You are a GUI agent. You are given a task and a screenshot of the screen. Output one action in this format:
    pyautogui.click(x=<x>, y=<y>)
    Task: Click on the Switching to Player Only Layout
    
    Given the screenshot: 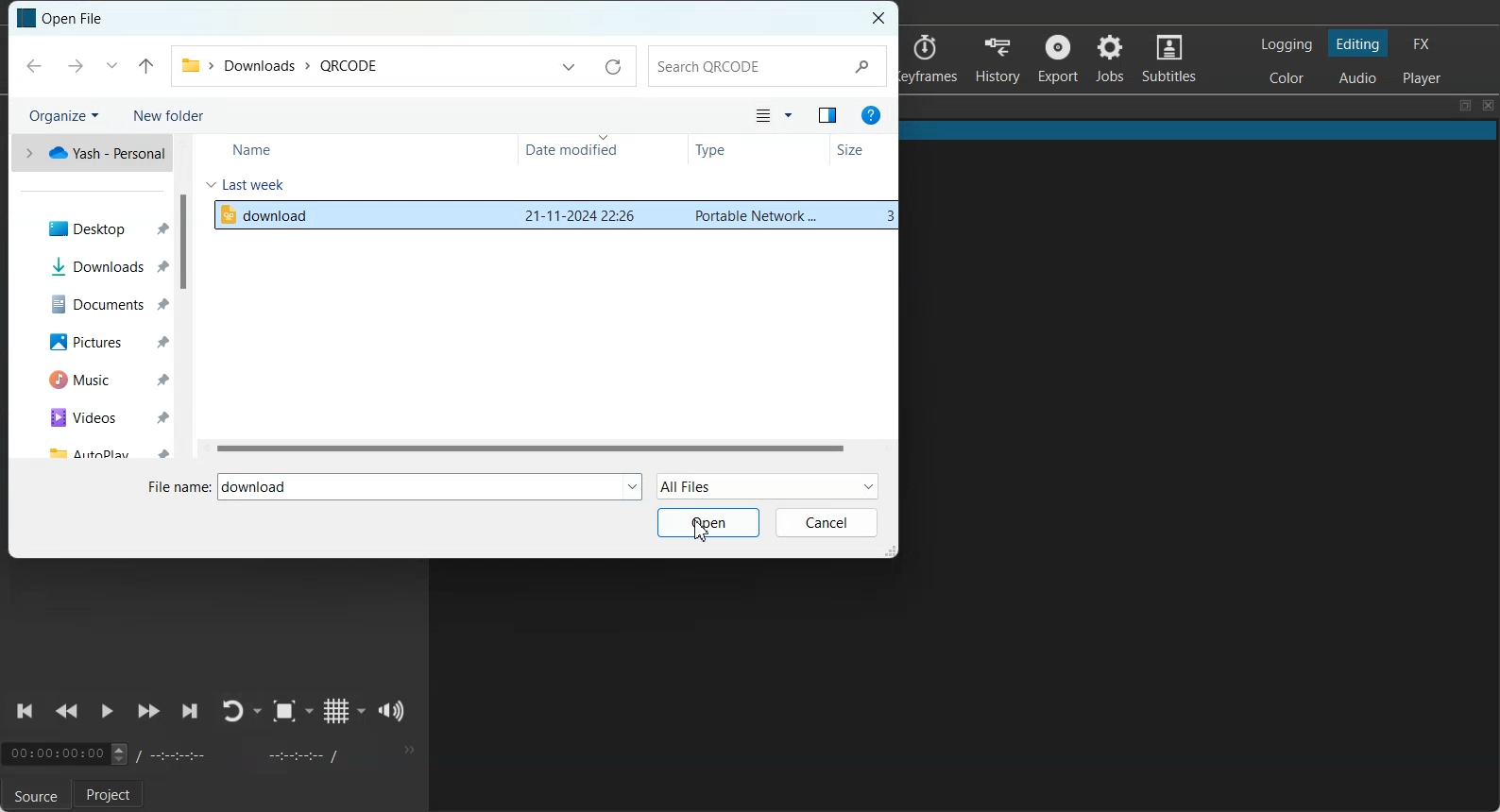 What is the action you would take?
    pyautogui.click(x=1424, y=77)
    